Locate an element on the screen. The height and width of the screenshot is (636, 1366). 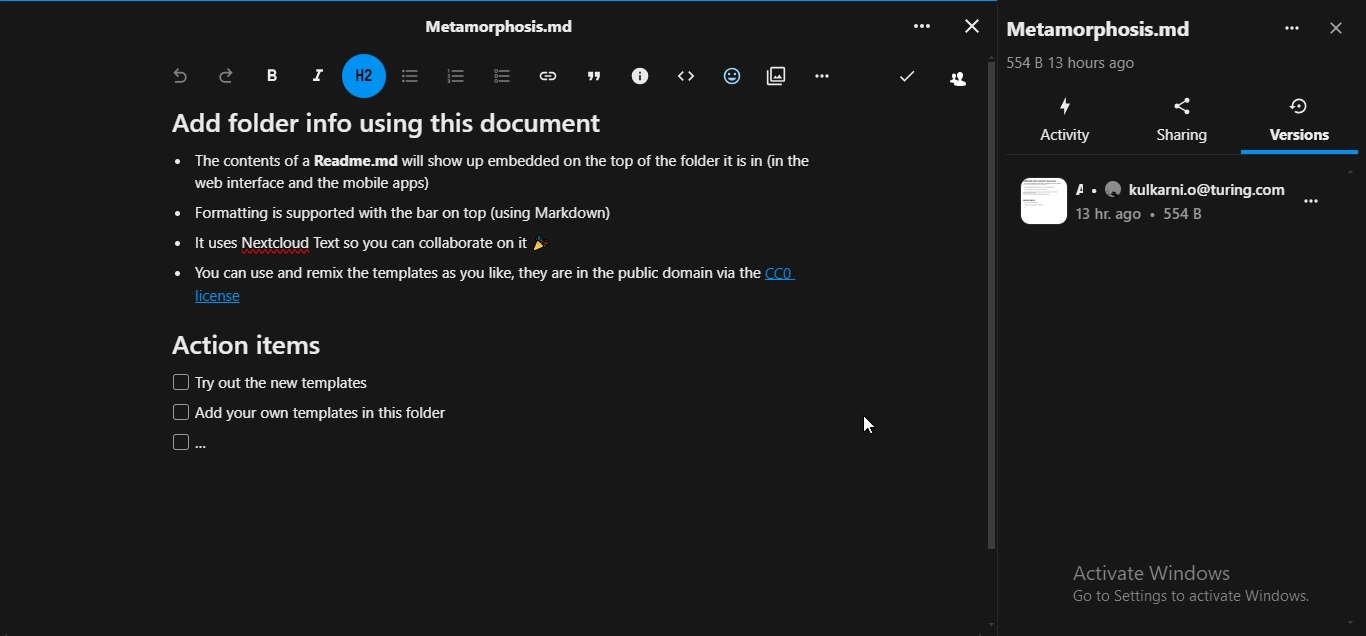
insert attachments is located at coordinates (773, 74).